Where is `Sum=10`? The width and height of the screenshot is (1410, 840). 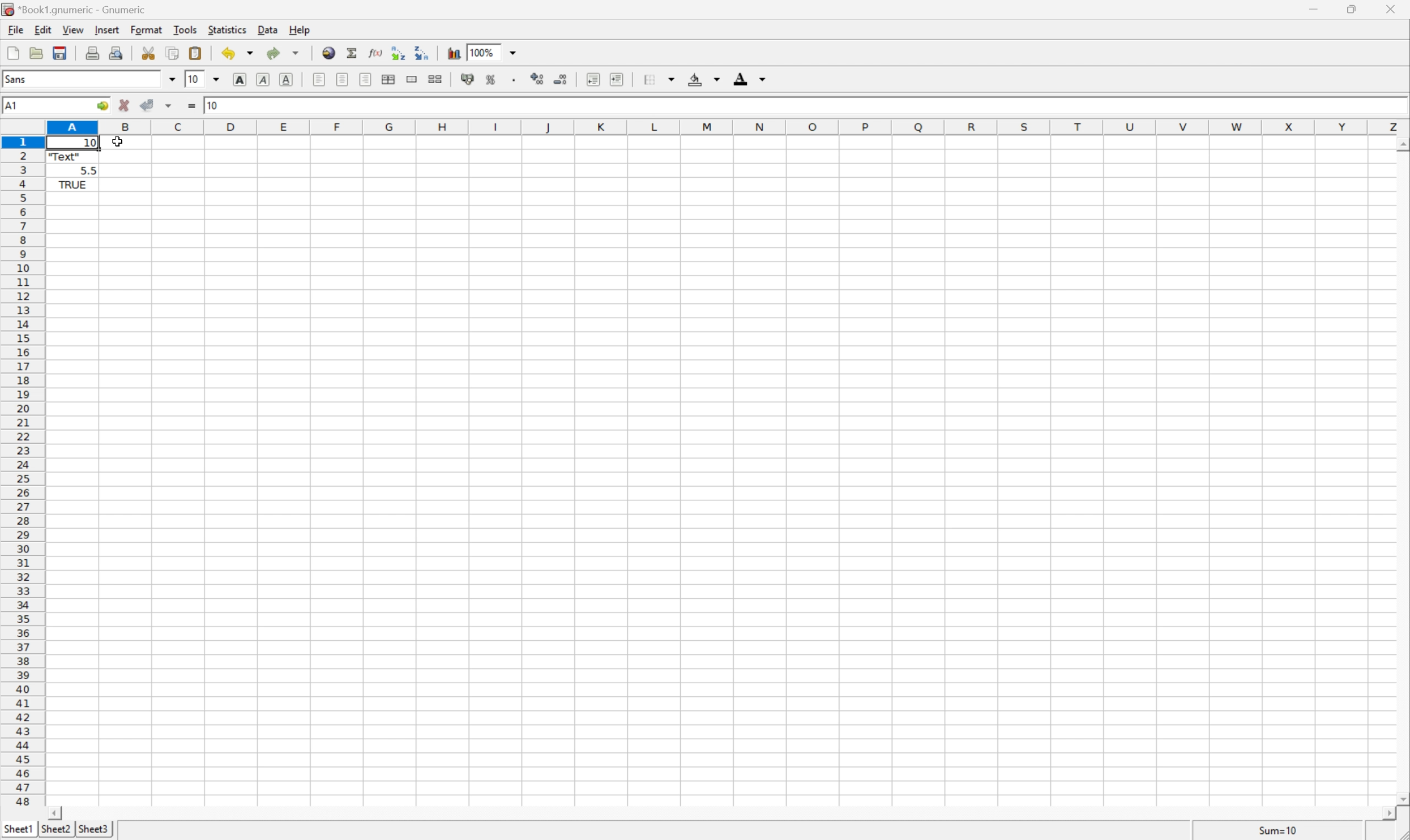 Sum=10 is located at coordinates (1276, 829).